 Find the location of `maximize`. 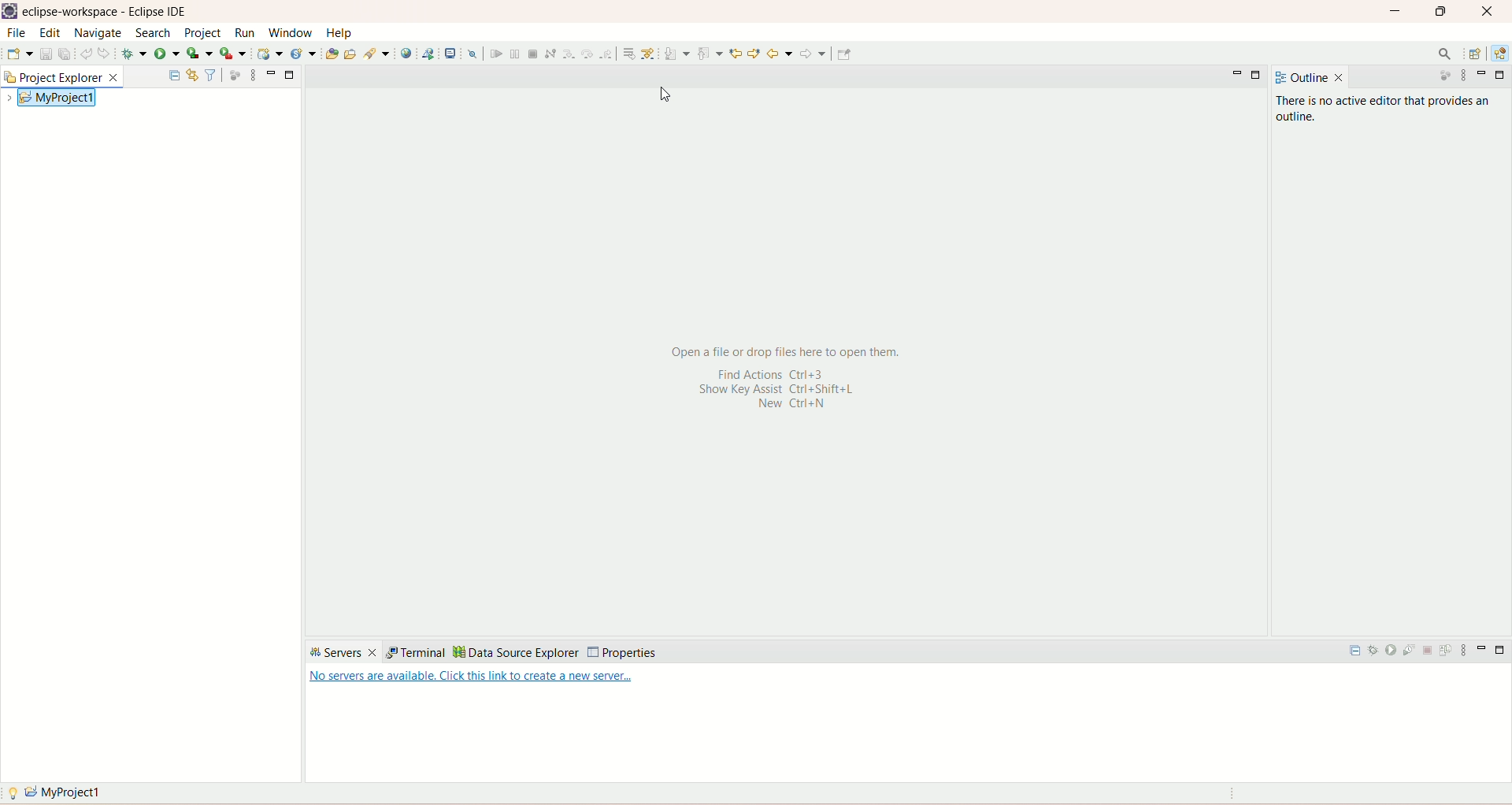

maximize is located at coordinates (1501, 652).